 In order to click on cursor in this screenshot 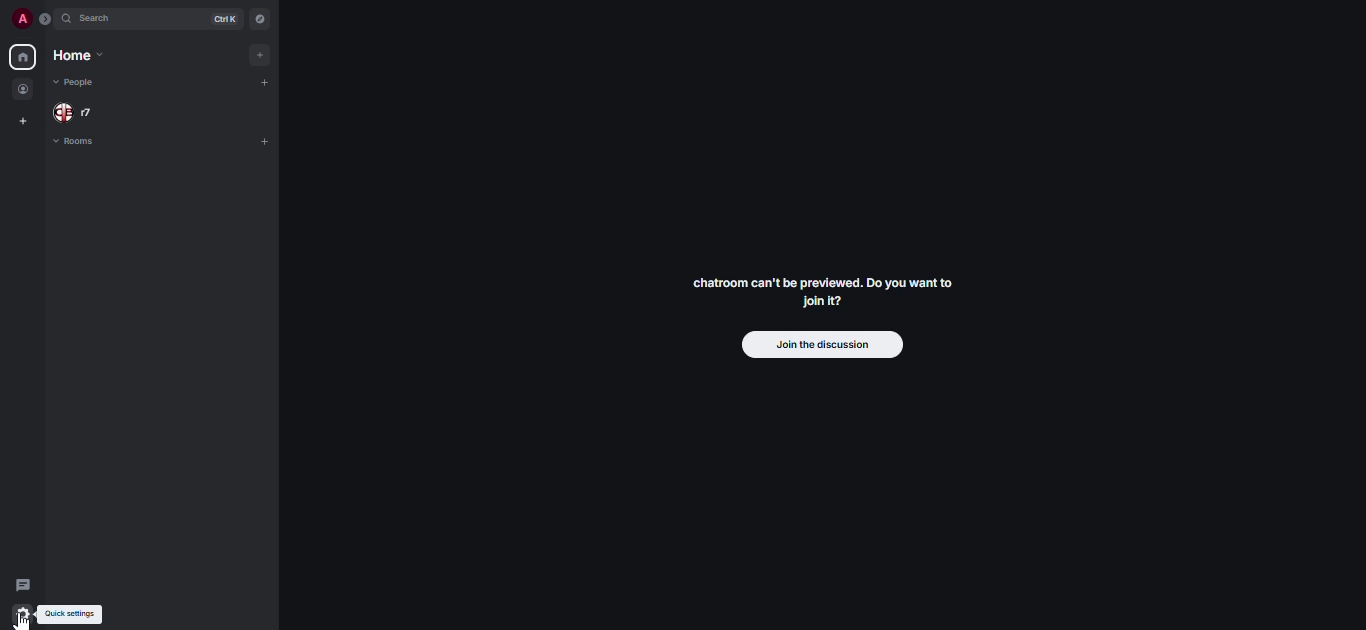, I will do `click(24, 620)`.